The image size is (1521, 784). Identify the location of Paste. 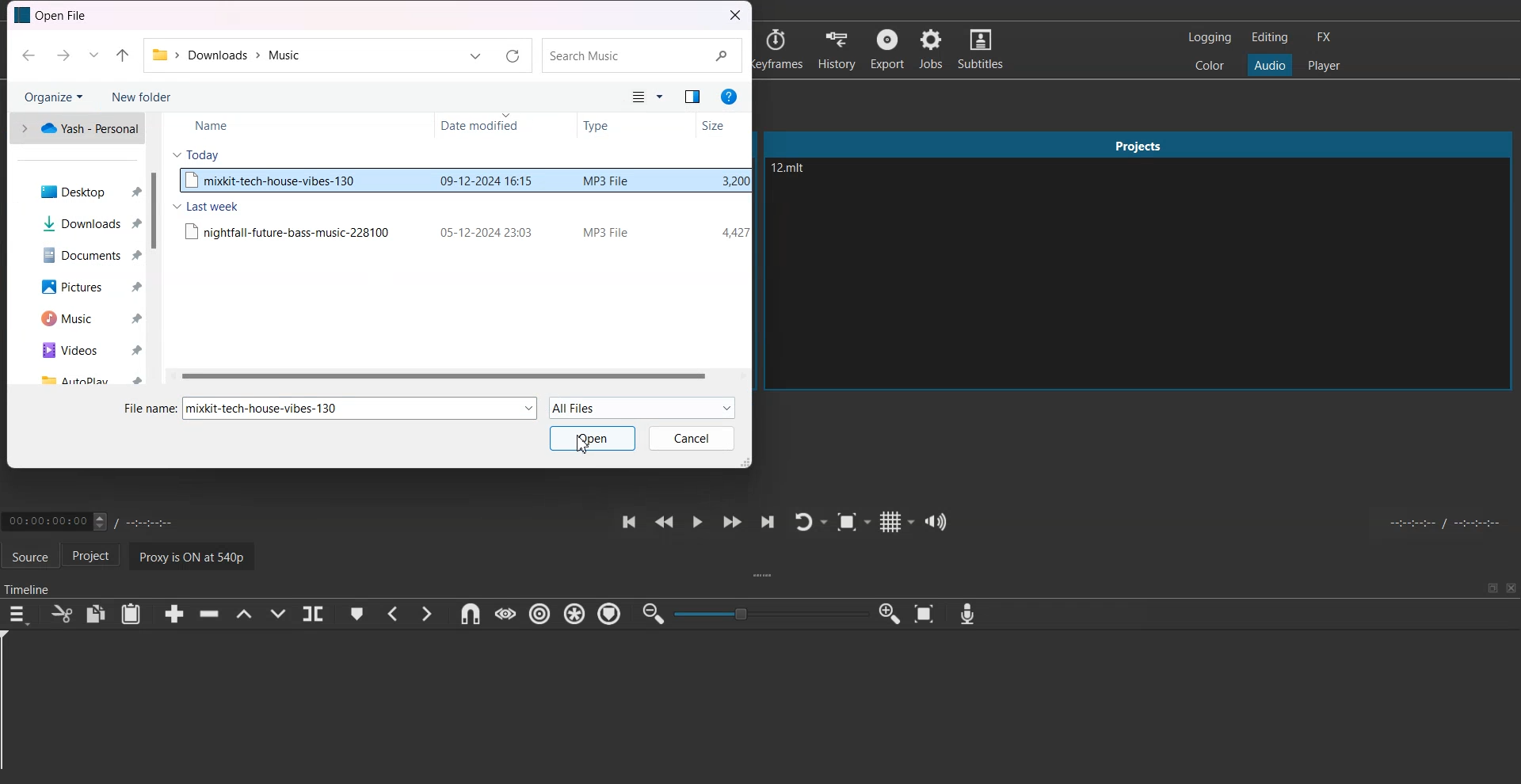
(131, 614).